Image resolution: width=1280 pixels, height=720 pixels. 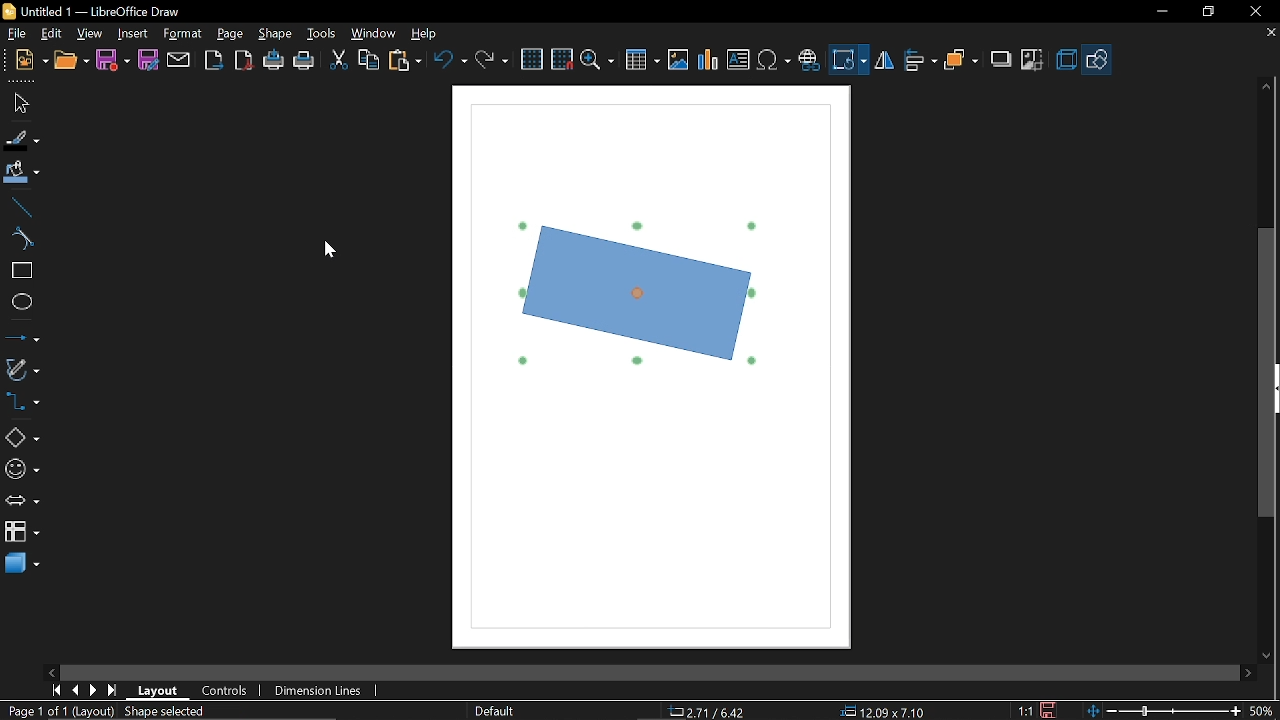 I want to click on Transformaion, so click(x=849, y=60).